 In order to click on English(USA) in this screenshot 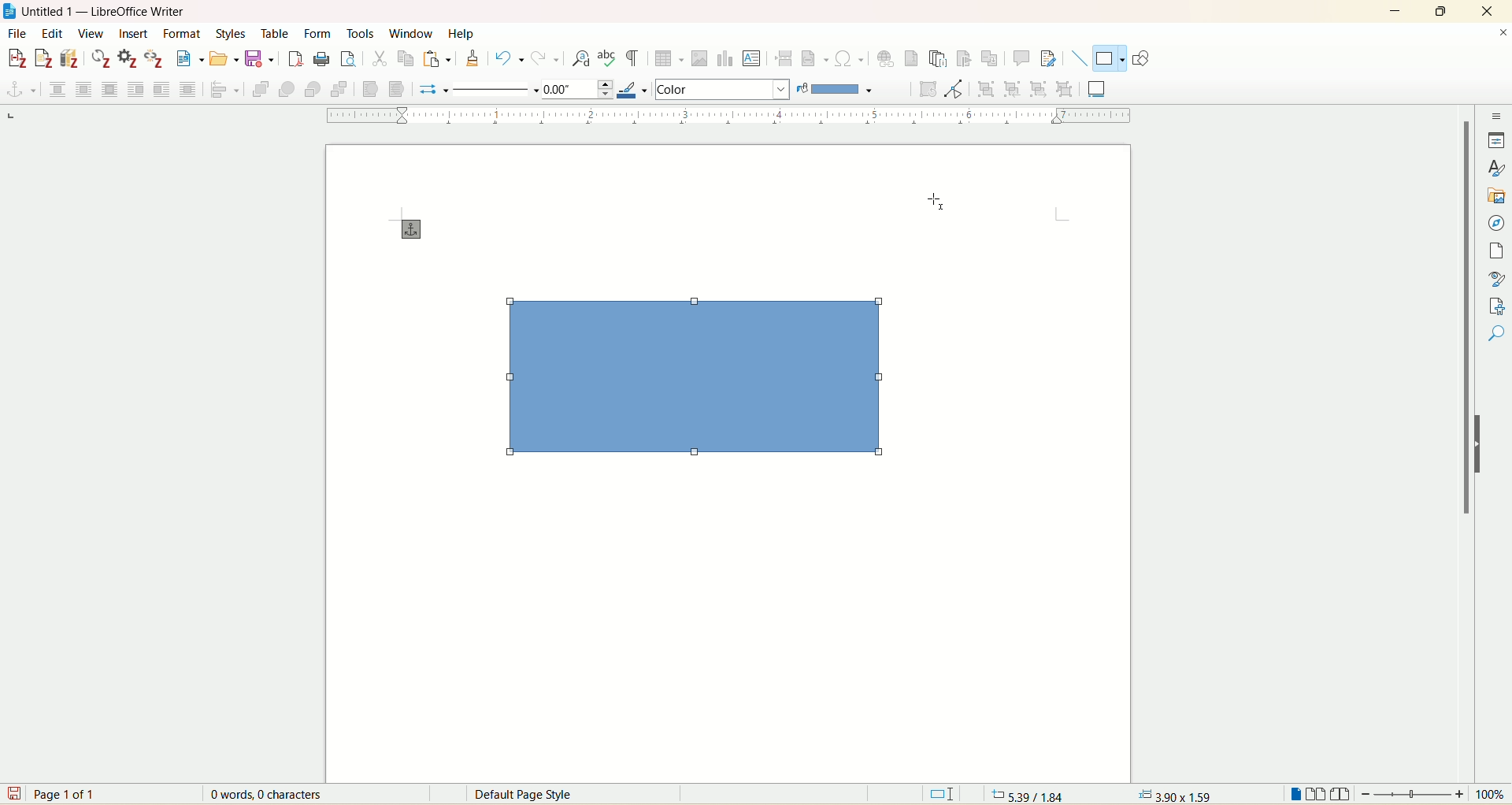, I will do `click(763, 794)`.